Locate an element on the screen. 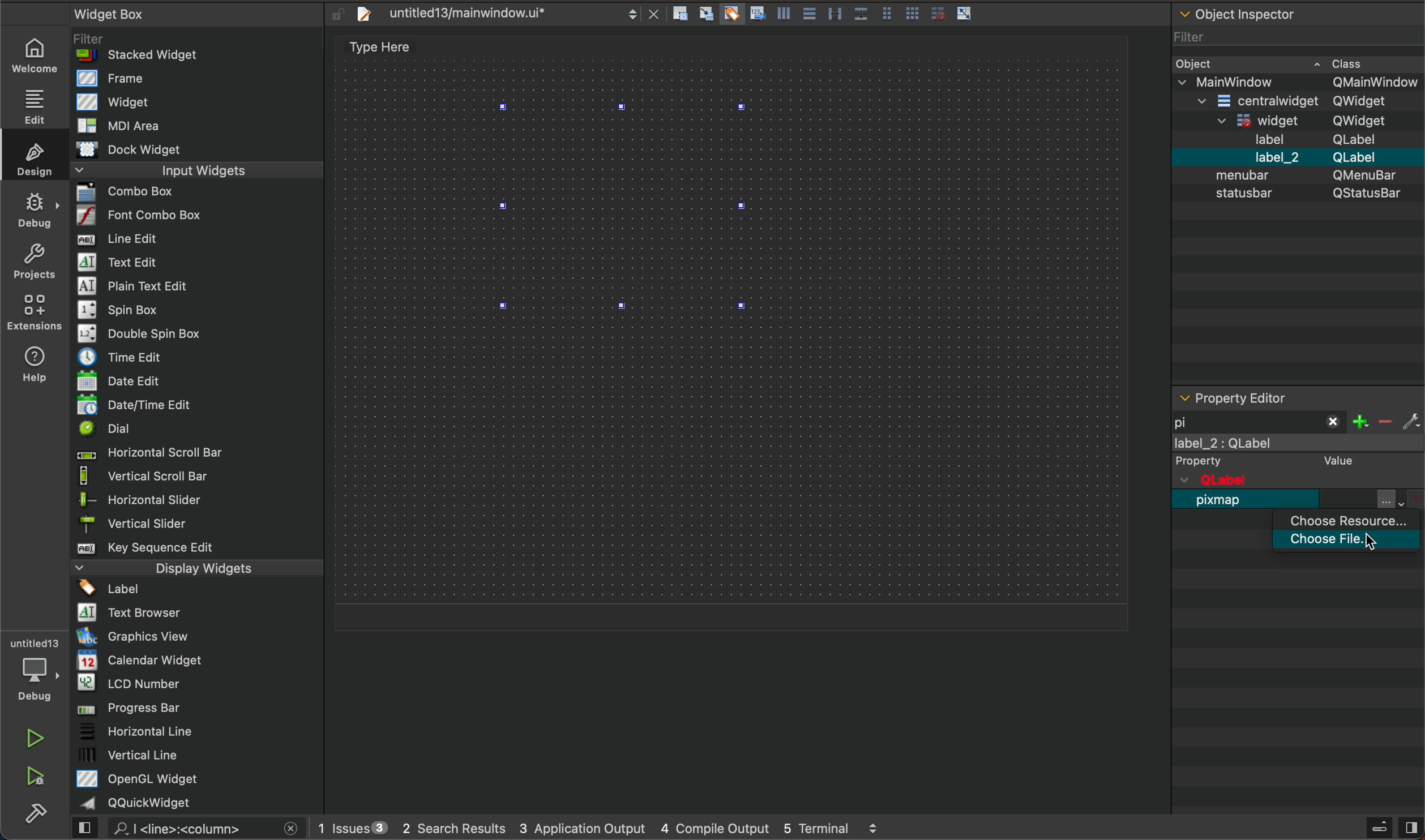  filter is located at coordinates (1389, 419).